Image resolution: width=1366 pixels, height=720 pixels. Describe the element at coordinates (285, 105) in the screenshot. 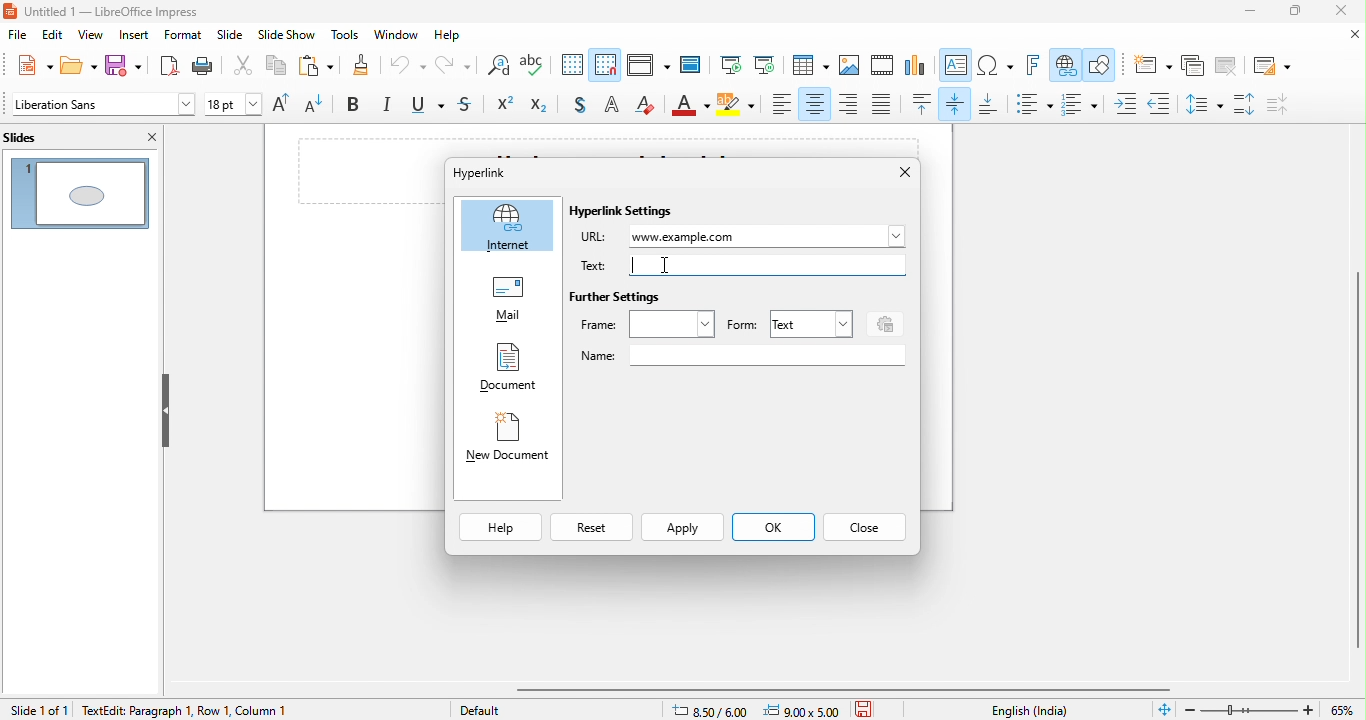

I see `increase font size` at that location.